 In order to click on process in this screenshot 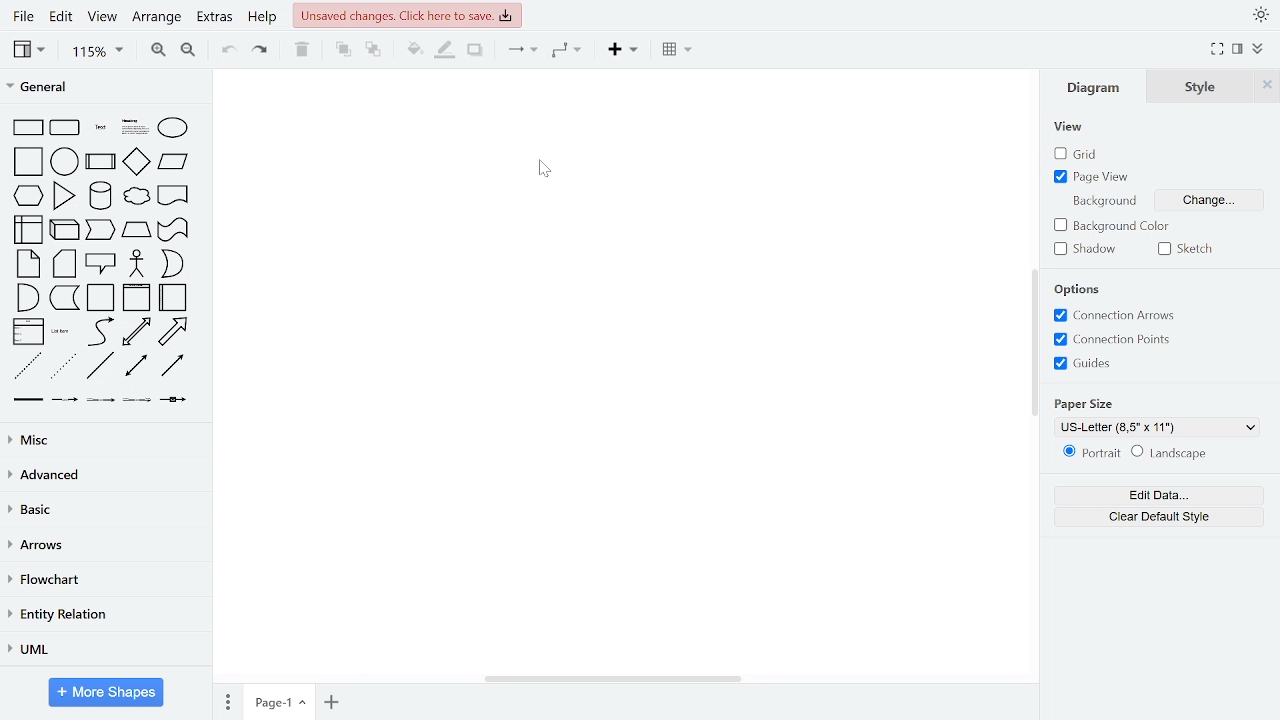, I will do `click(101, 162)`.